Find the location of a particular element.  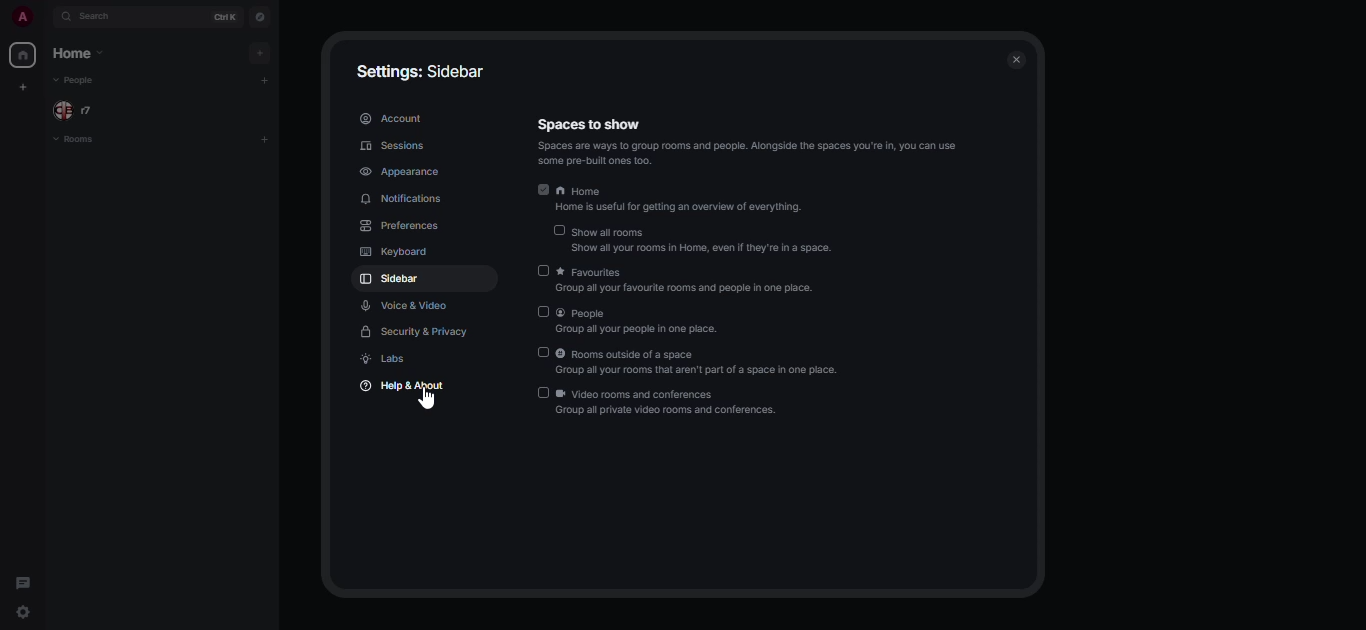

people is located at coordinates (76, 80).